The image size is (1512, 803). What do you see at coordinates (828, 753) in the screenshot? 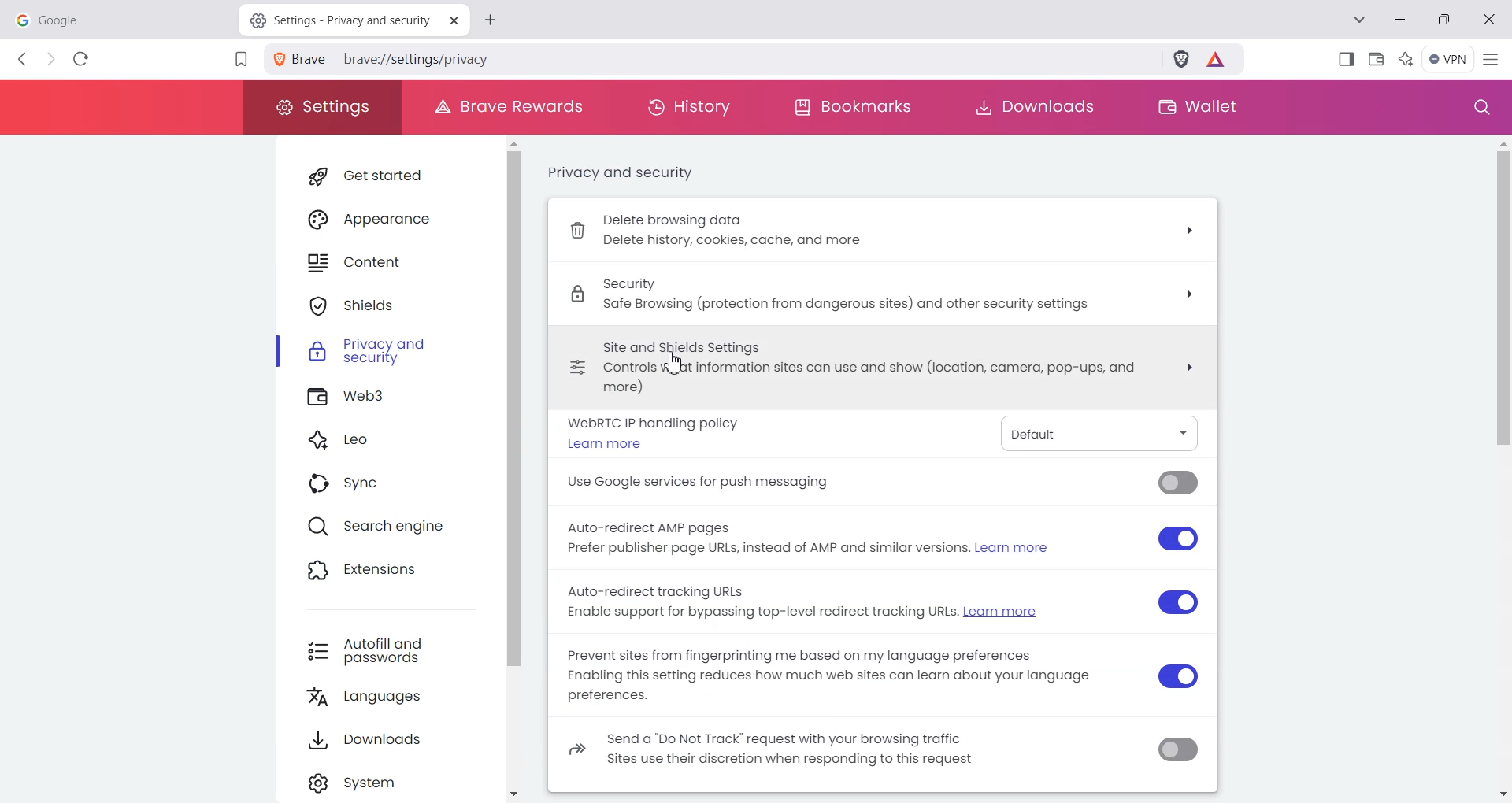
I see `, Send a "Do Not Track request with your browsing traffic
Sites use their discretion when responding to this request` at bounding box center [828, 753].